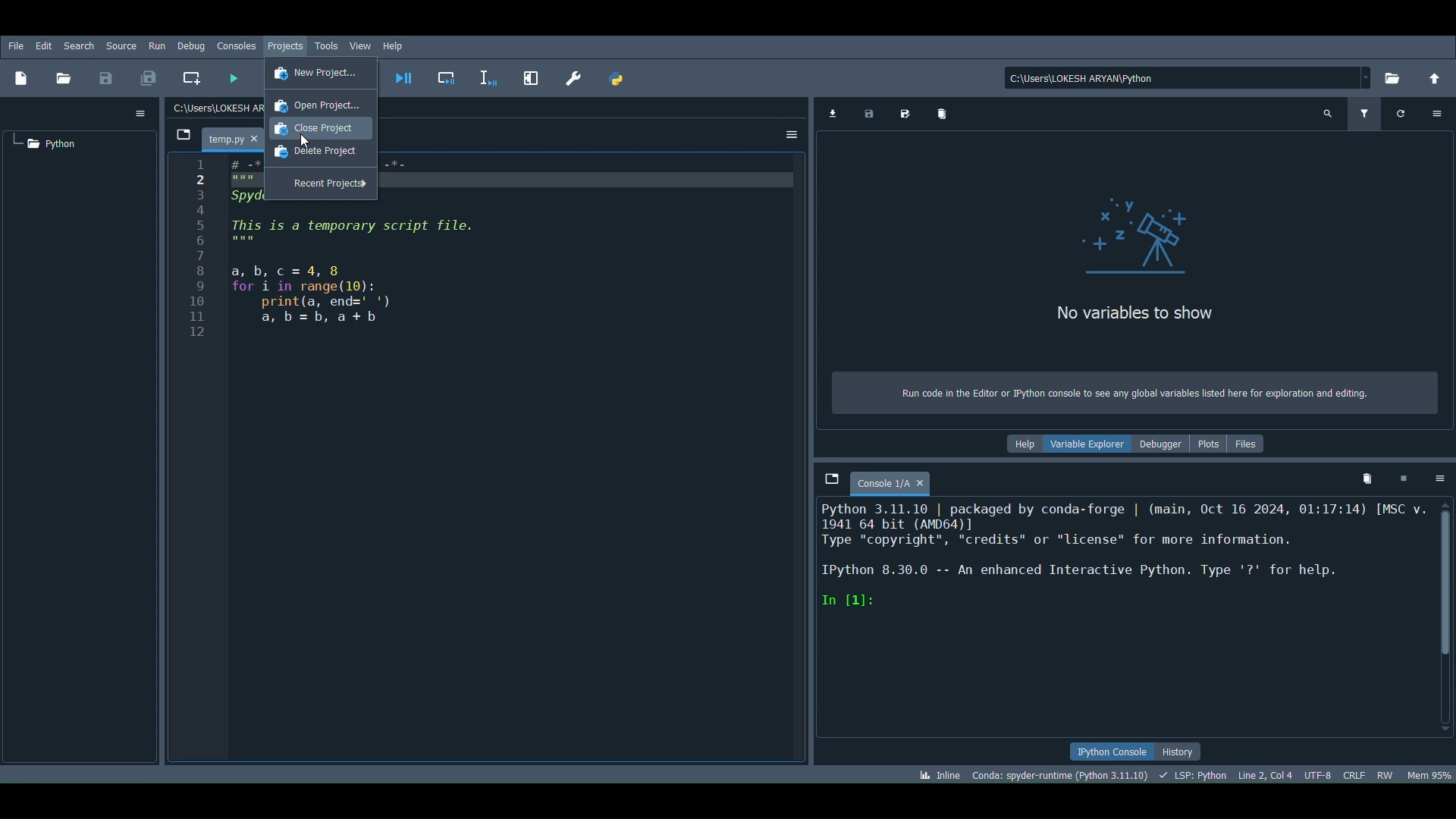 This screenshot has width=1456, height=819. I want to click on Completions, linting, code folding and symbols status, so click(1195, 776).